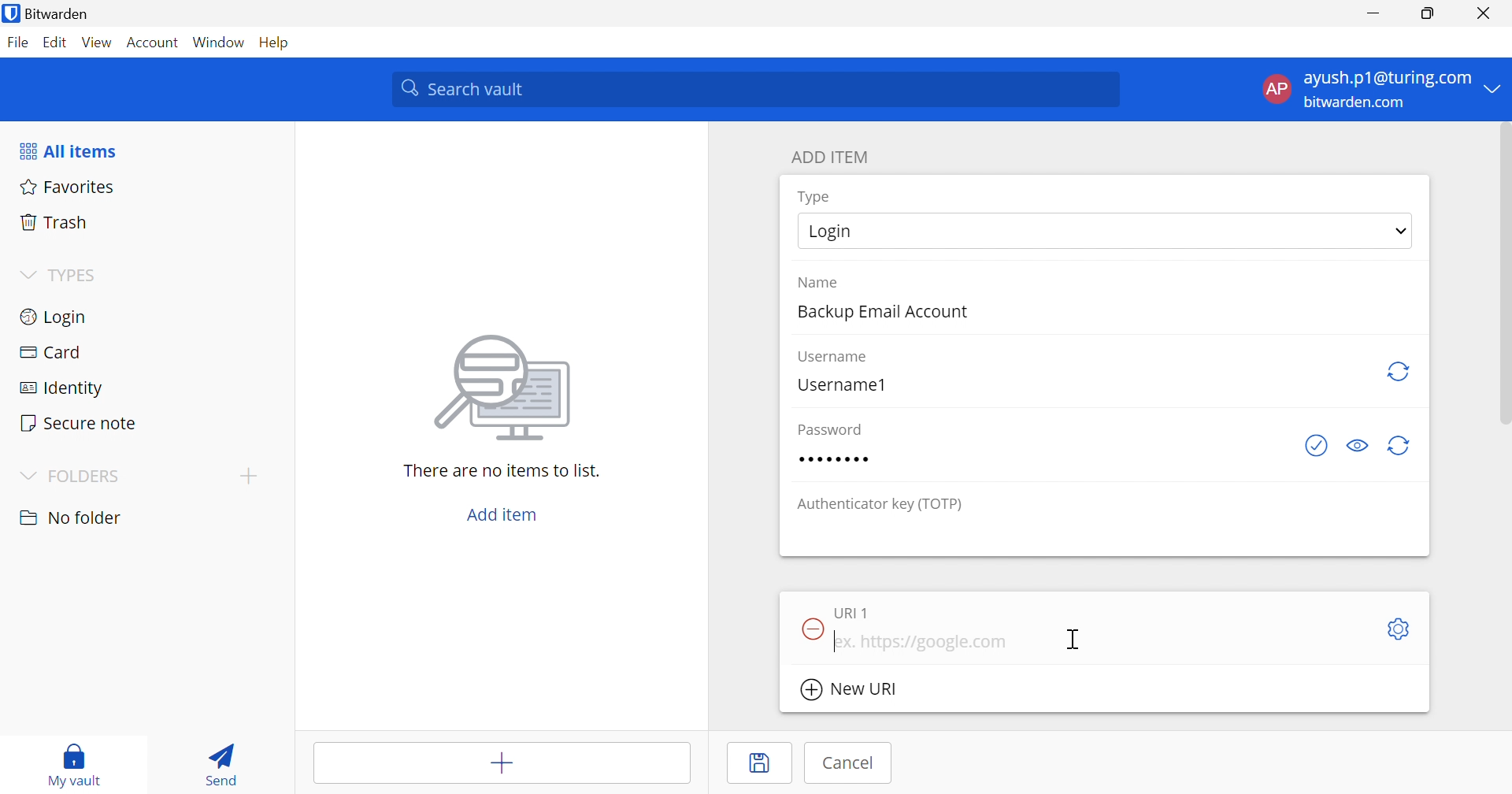 This screenshot has width=1512, height=794. Describe the element at coordinates (249, 477) in the screenshot. I see `Add folder` at that location.